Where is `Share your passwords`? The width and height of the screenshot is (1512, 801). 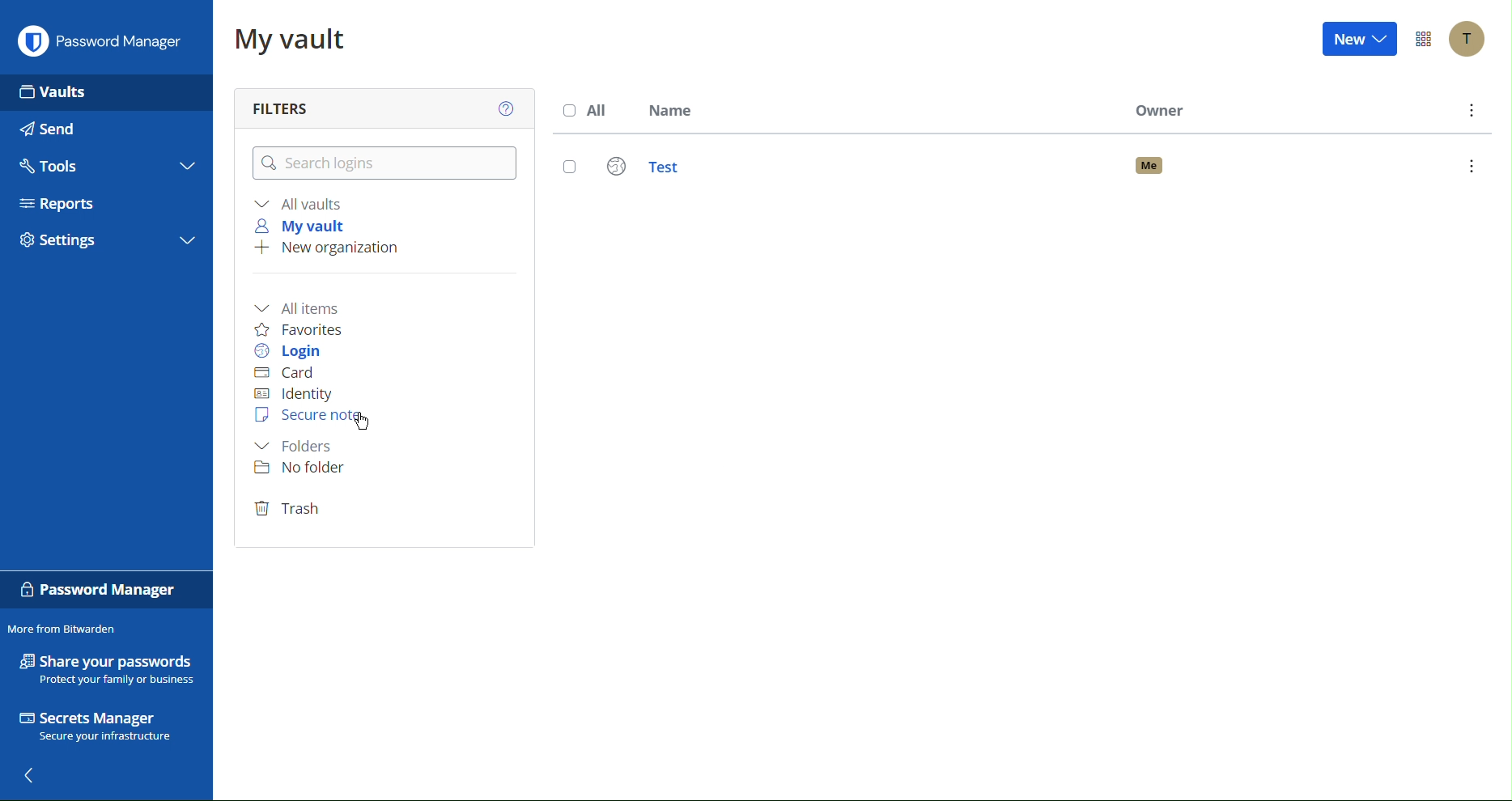
Share your passwords is located at coordinates (106, 668).